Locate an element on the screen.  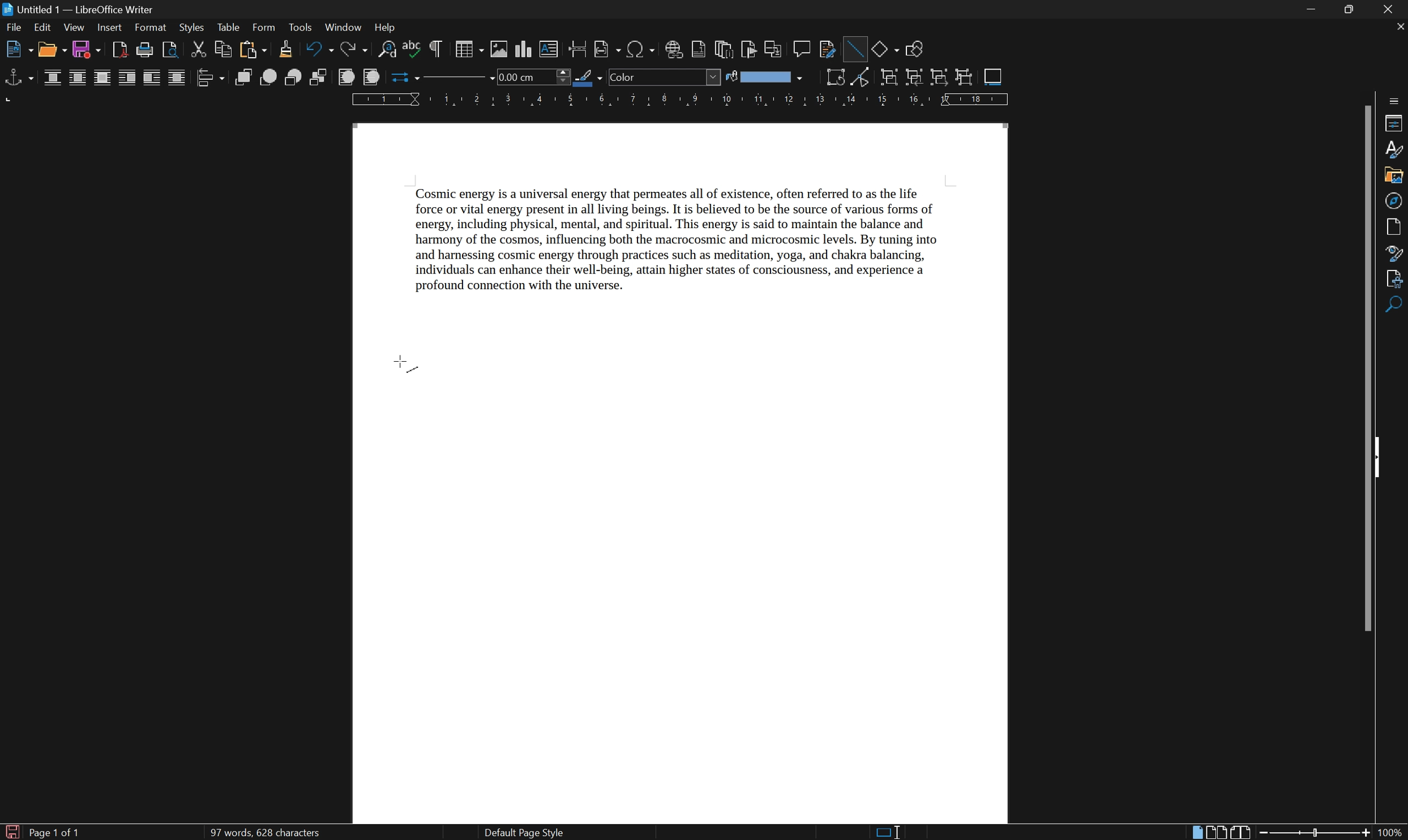
line style is located at coordinates (452, 80).